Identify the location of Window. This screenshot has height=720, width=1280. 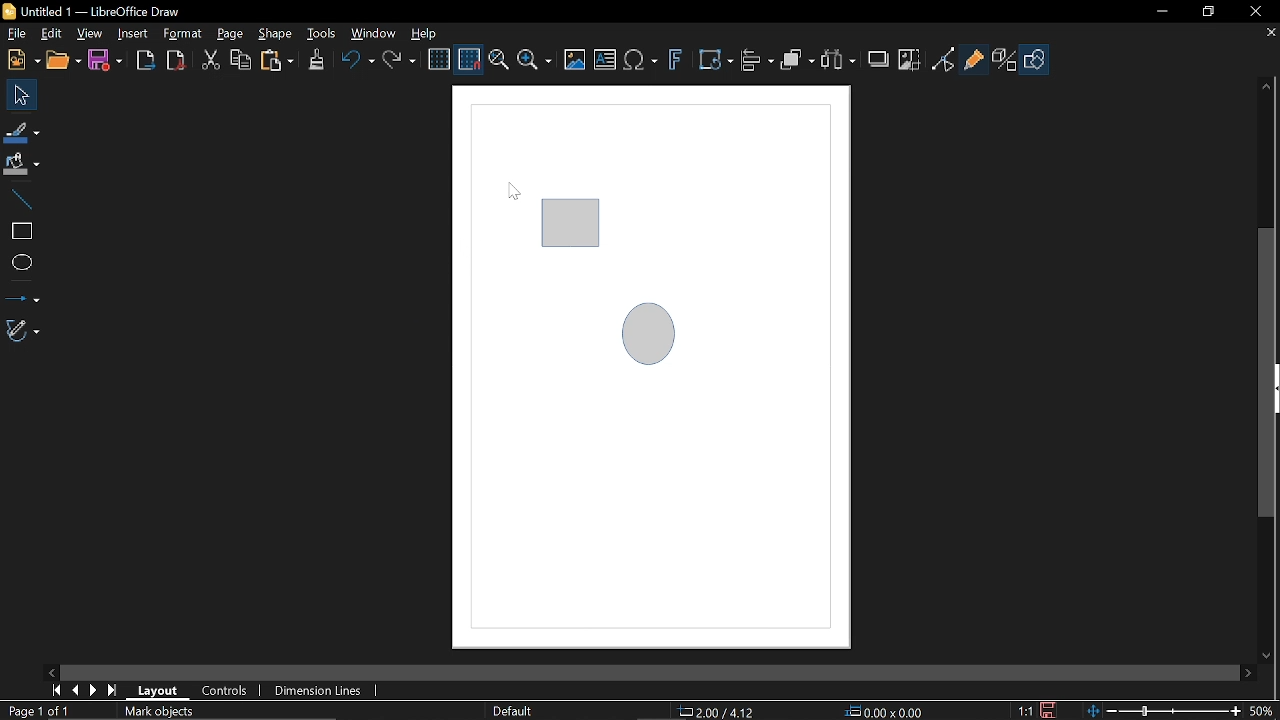
(374, 35).